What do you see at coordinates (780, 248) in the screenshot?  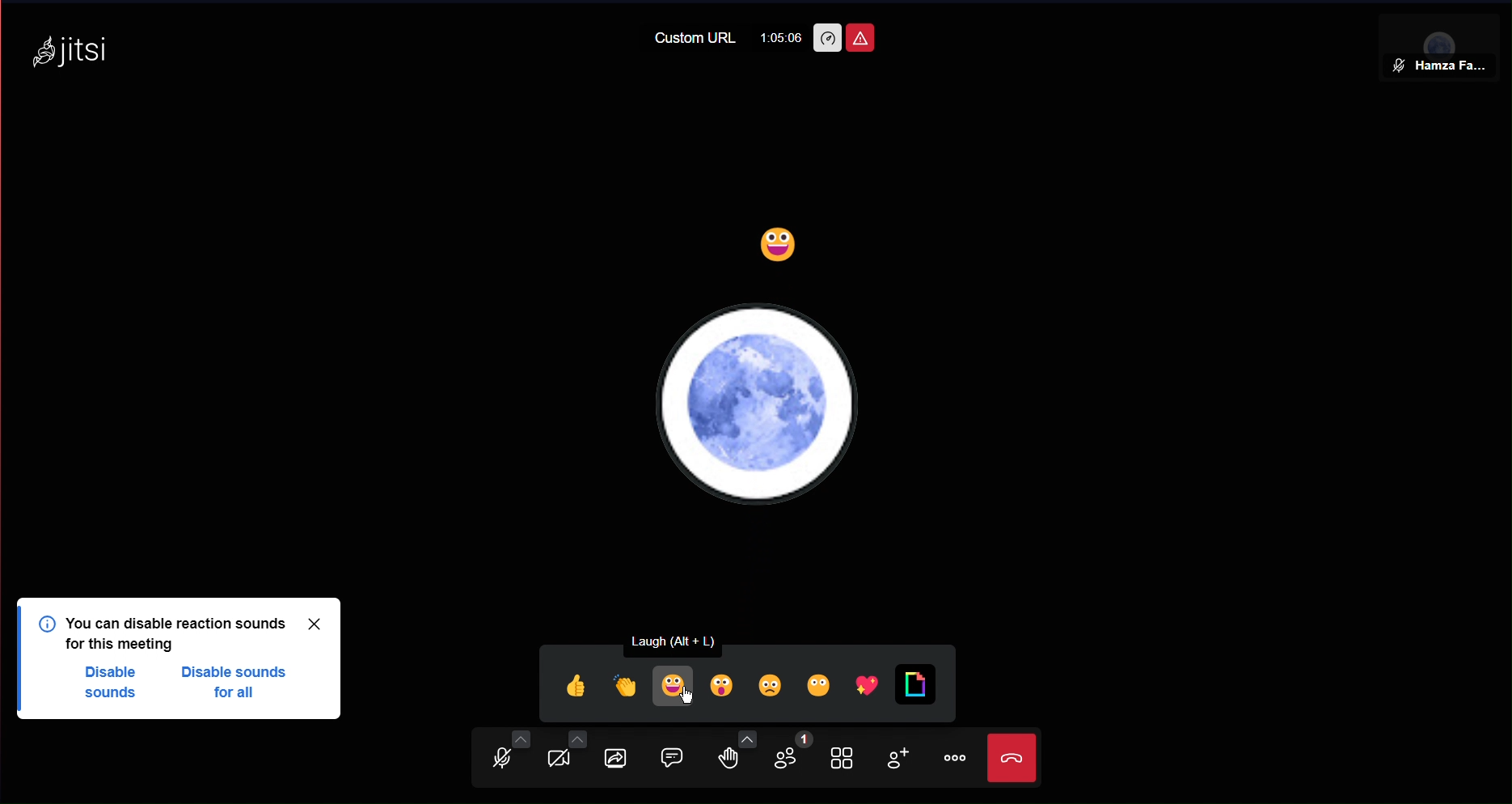 I see `Laugh Emoji` at bounding box center [780, 248].